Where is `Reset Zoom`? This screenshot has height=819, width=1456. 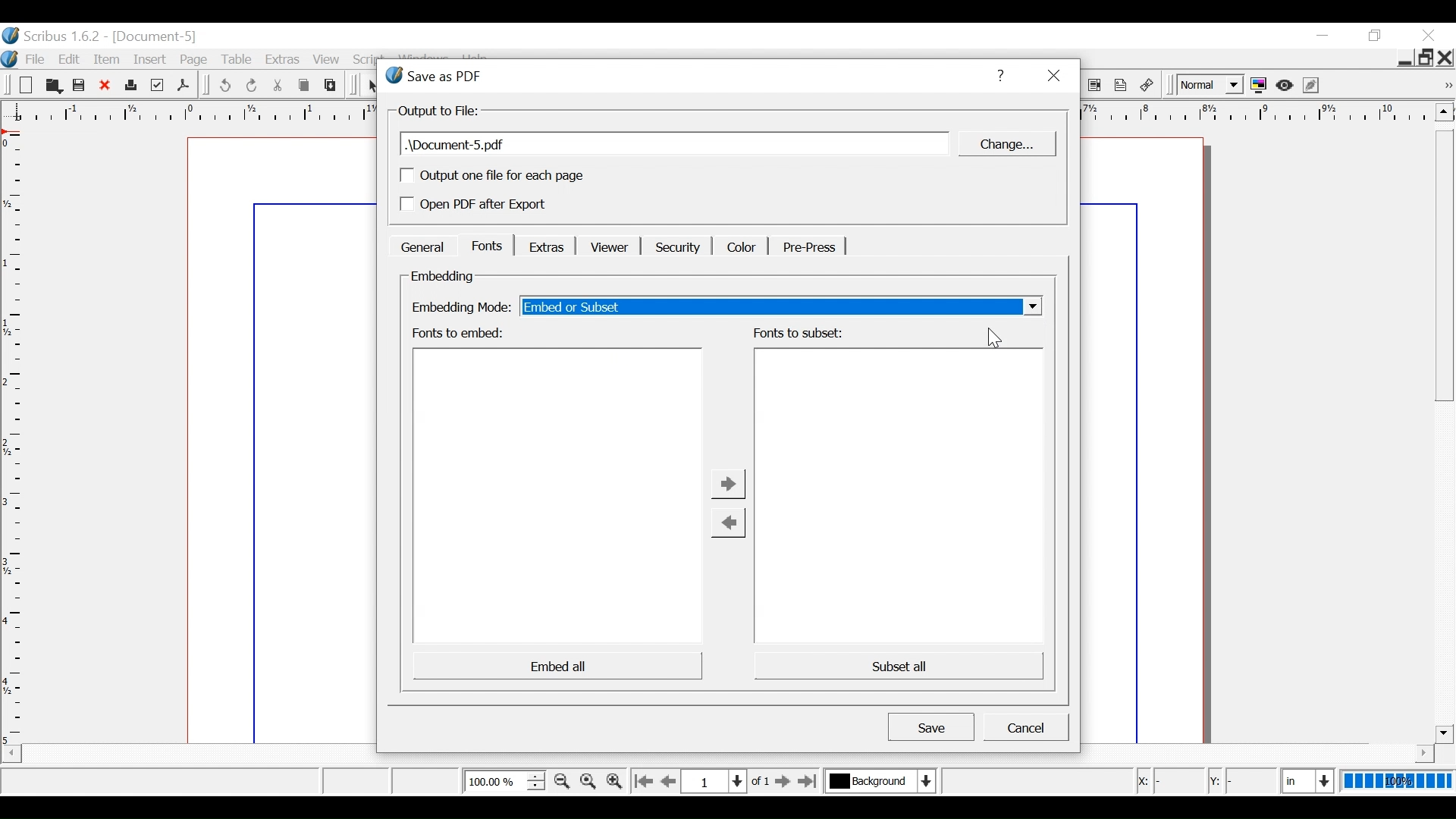 Reset Zoom is located at coordinates (589, 780).